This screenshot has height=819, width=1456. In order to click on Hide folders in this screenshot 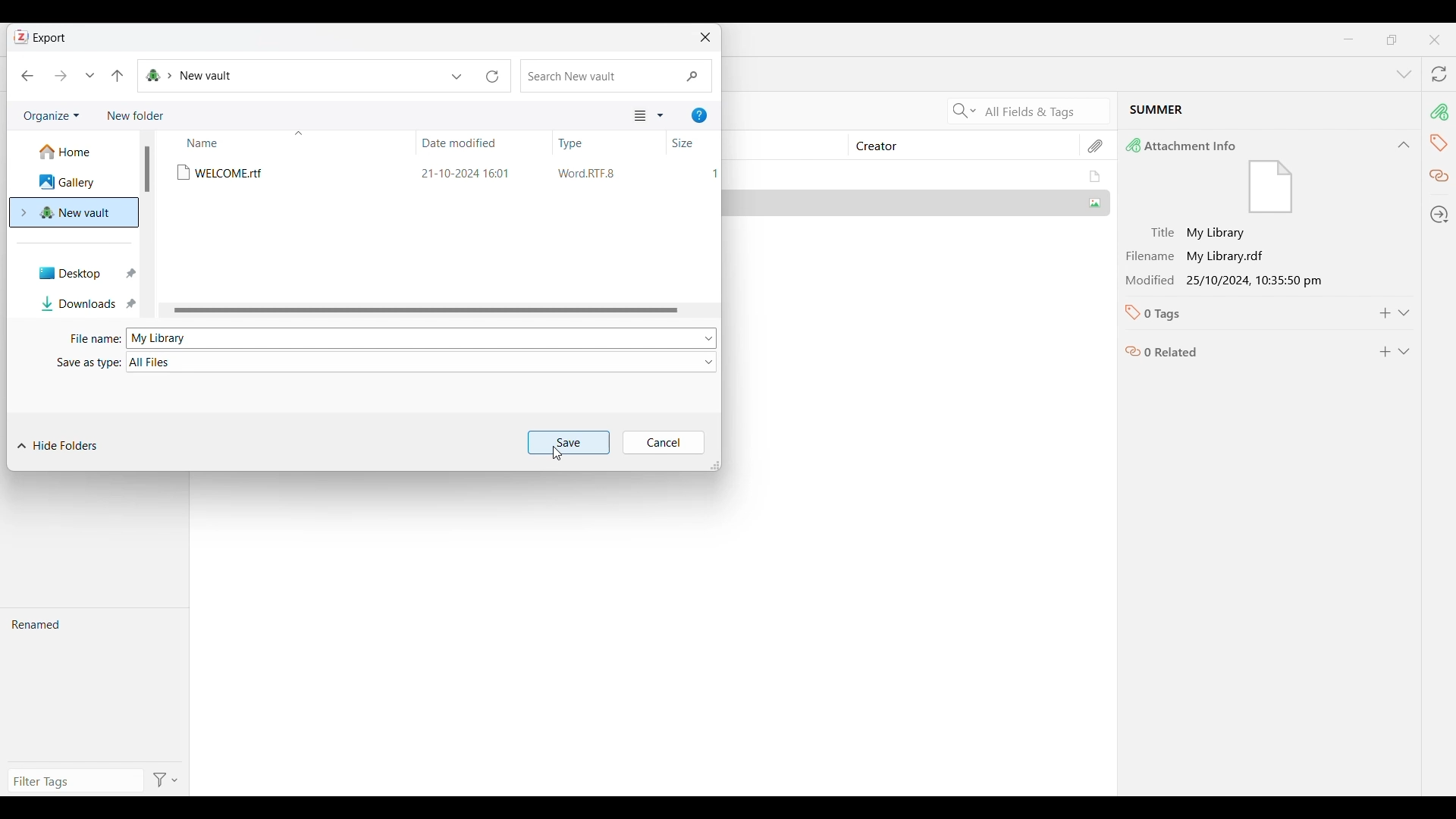, I will do `click(57, 445)`.